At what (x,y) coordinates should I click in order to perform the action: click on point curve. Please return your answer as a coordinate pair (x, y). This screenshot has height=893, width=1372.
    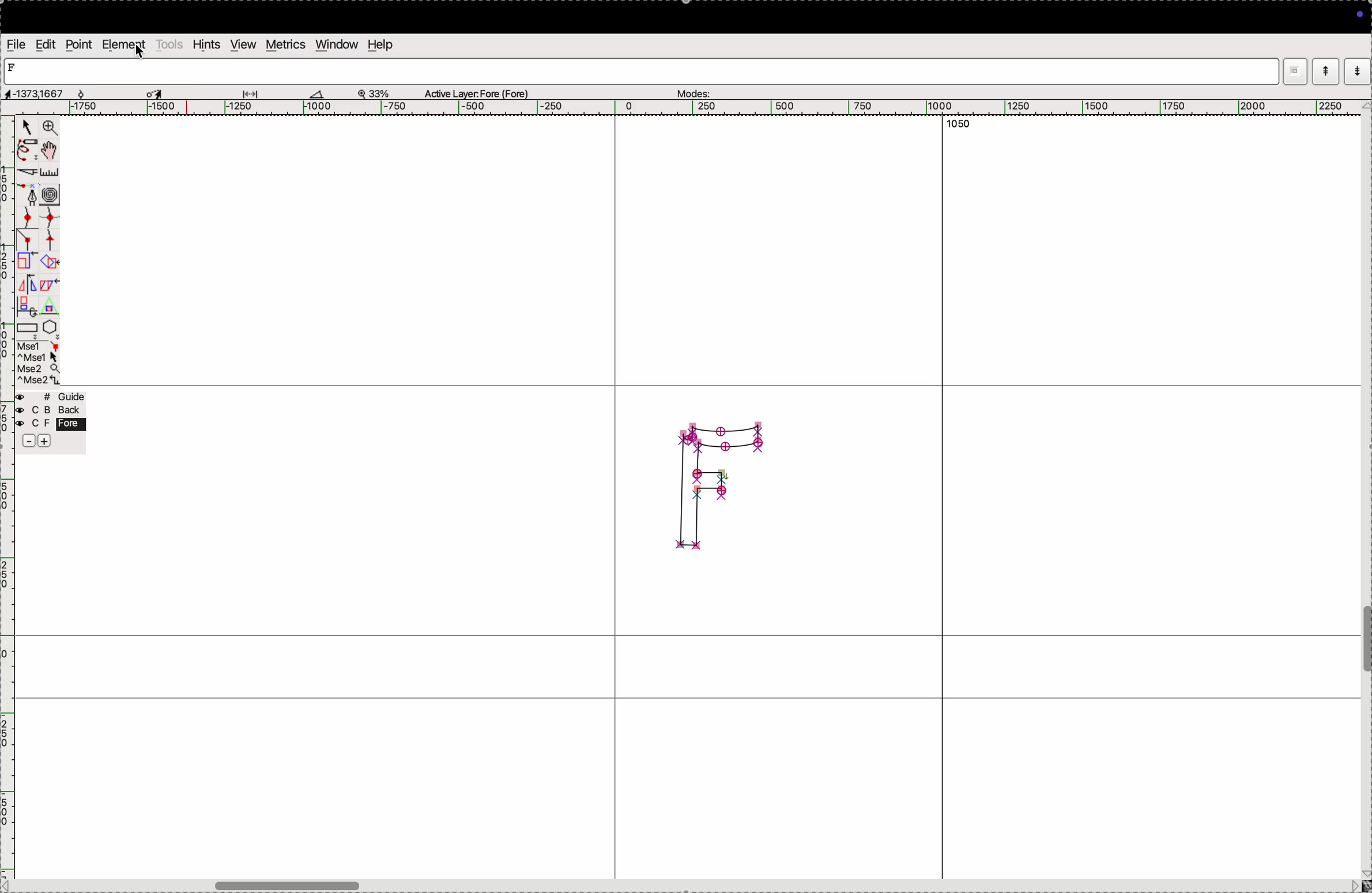
    Looking at the image, I should click on (29, 218).